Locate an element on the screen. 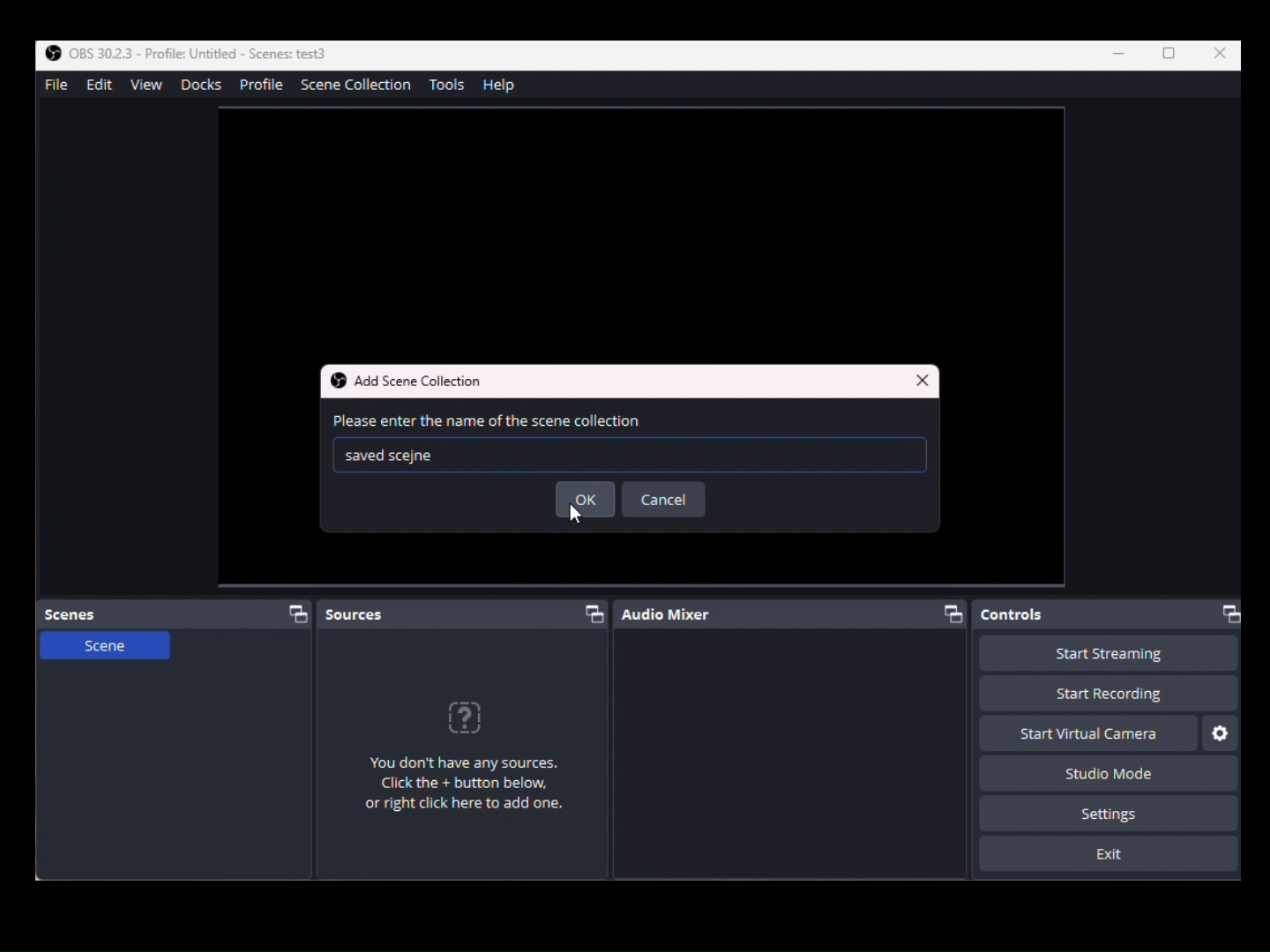 The width and height of the screenshot is (1270, 952). cursor is located at coordinates (582, 521).